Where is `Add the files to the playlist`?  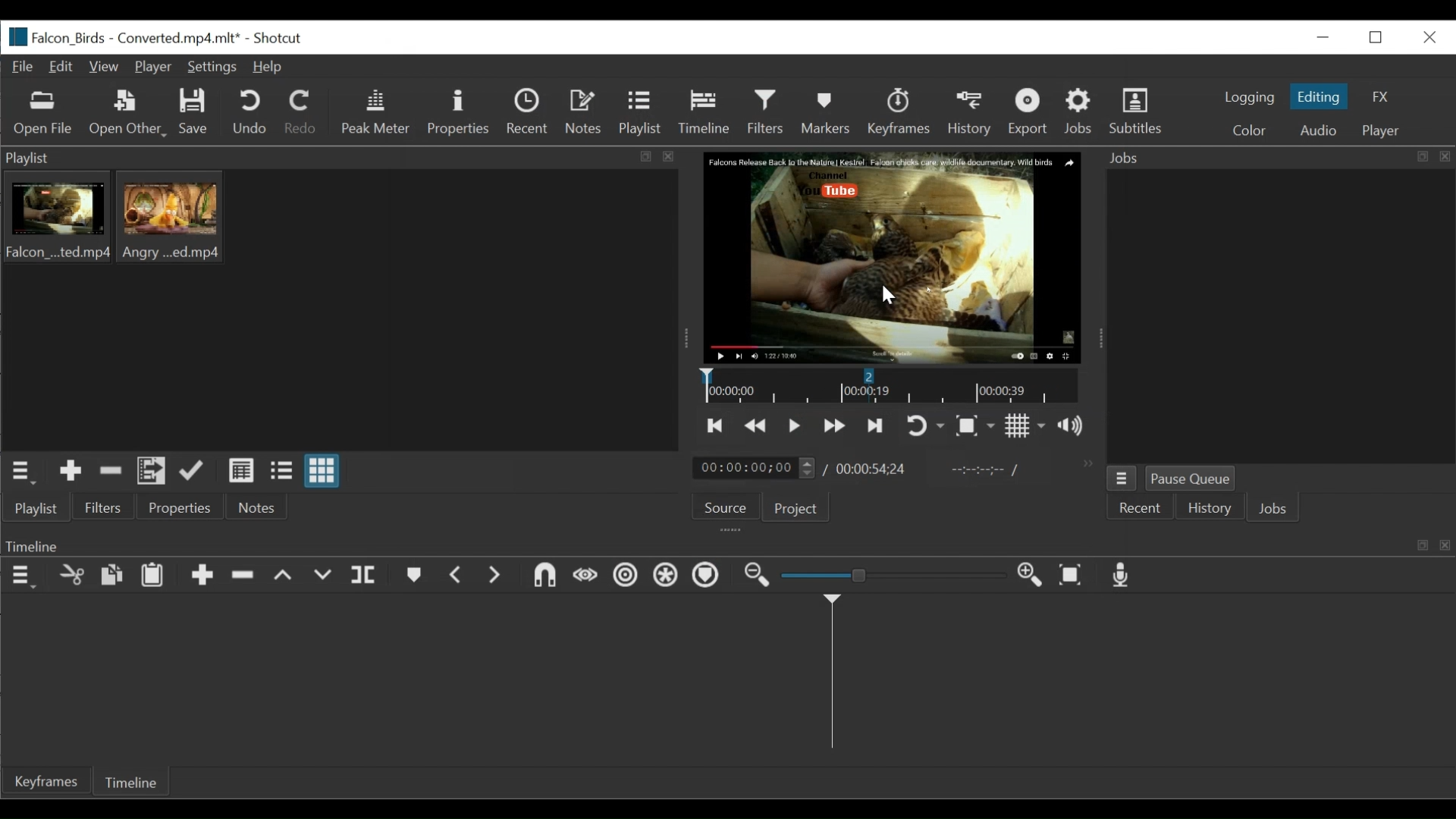
Add the files to the playlist is located at coordinates (152, 472).